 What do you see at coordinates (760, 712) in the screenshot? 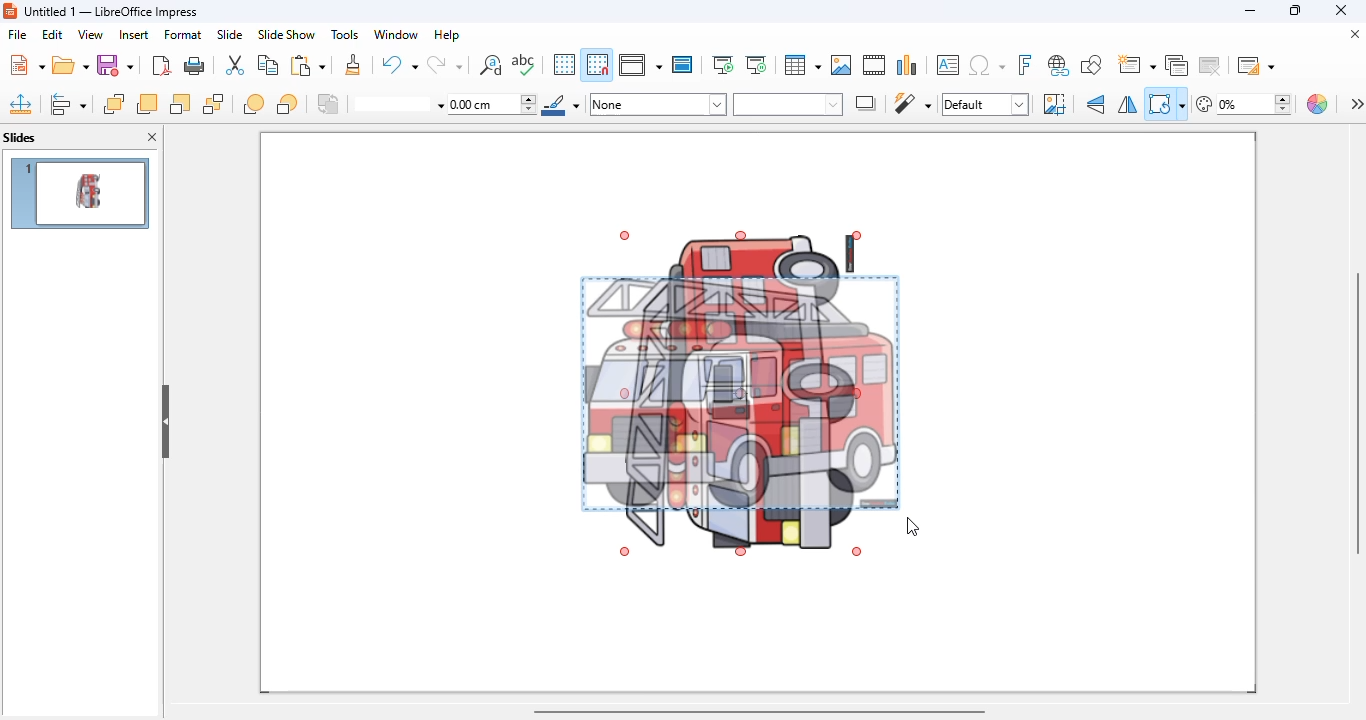
I see `horizontal scroll bar` at bounding box center [760, 712].